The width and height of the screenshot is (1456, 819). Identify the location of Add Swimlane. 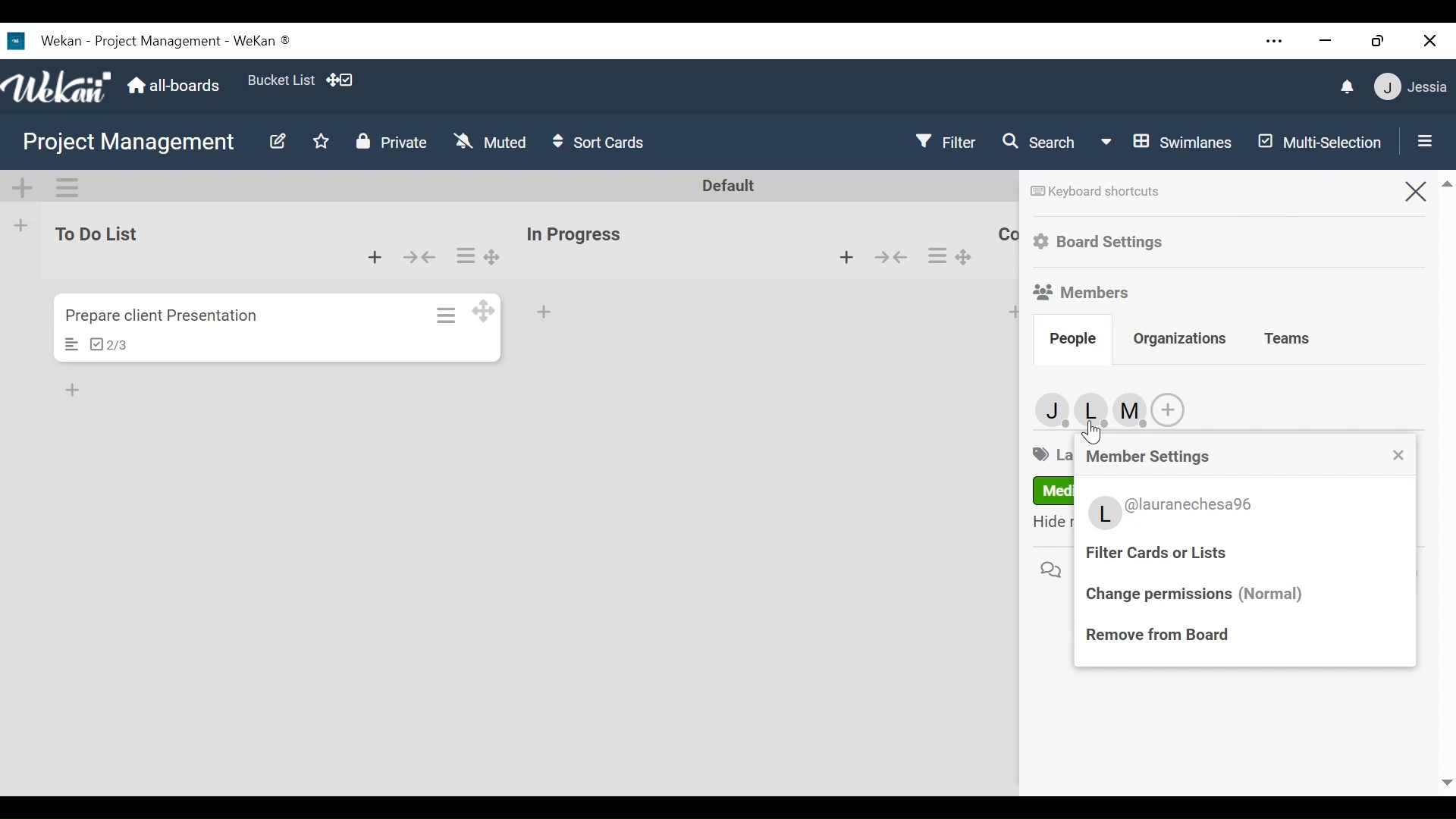
(24, 188).